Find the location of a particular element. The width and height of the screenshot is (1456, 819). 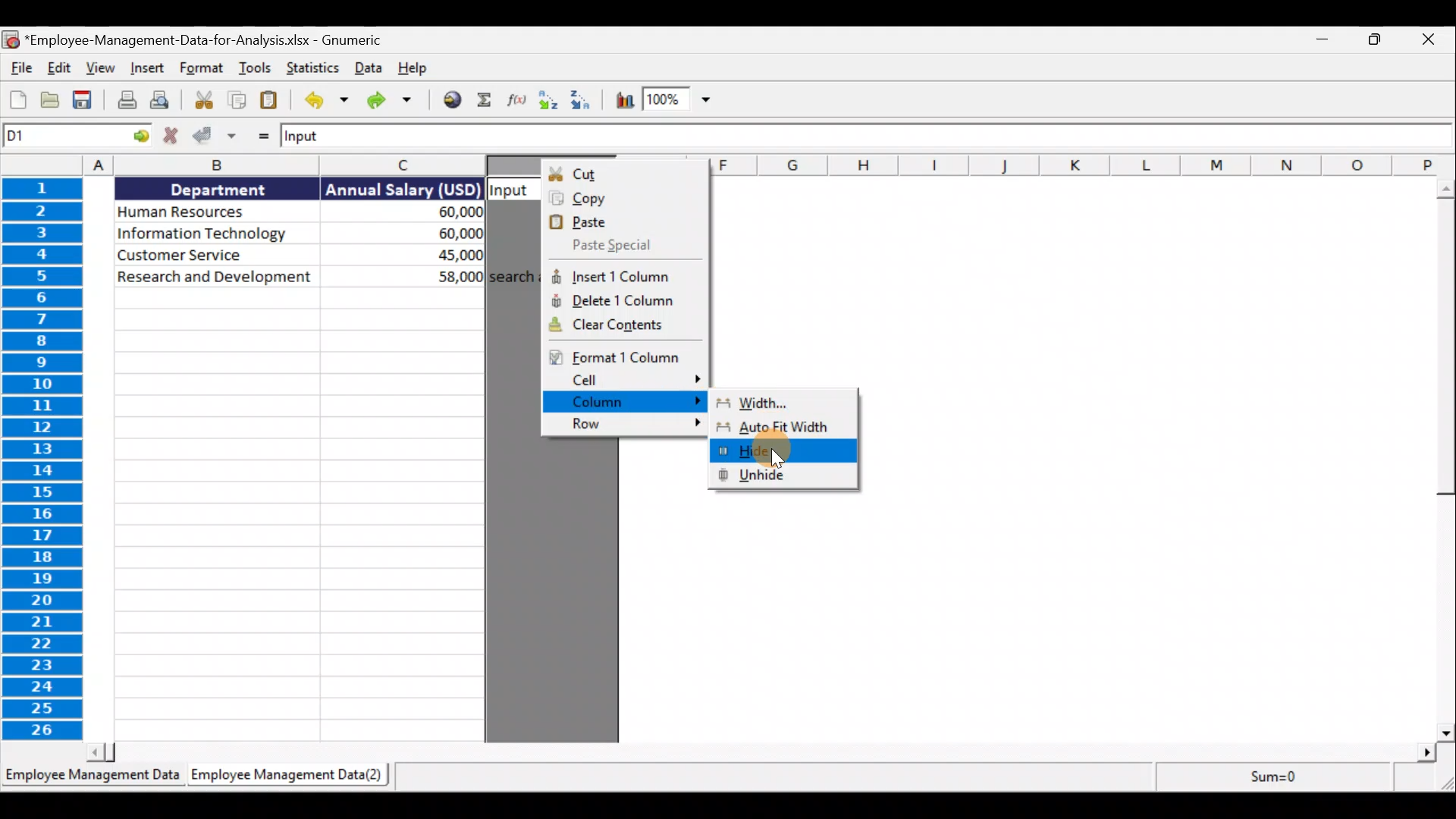

Column is located at coordinates (624, 403).